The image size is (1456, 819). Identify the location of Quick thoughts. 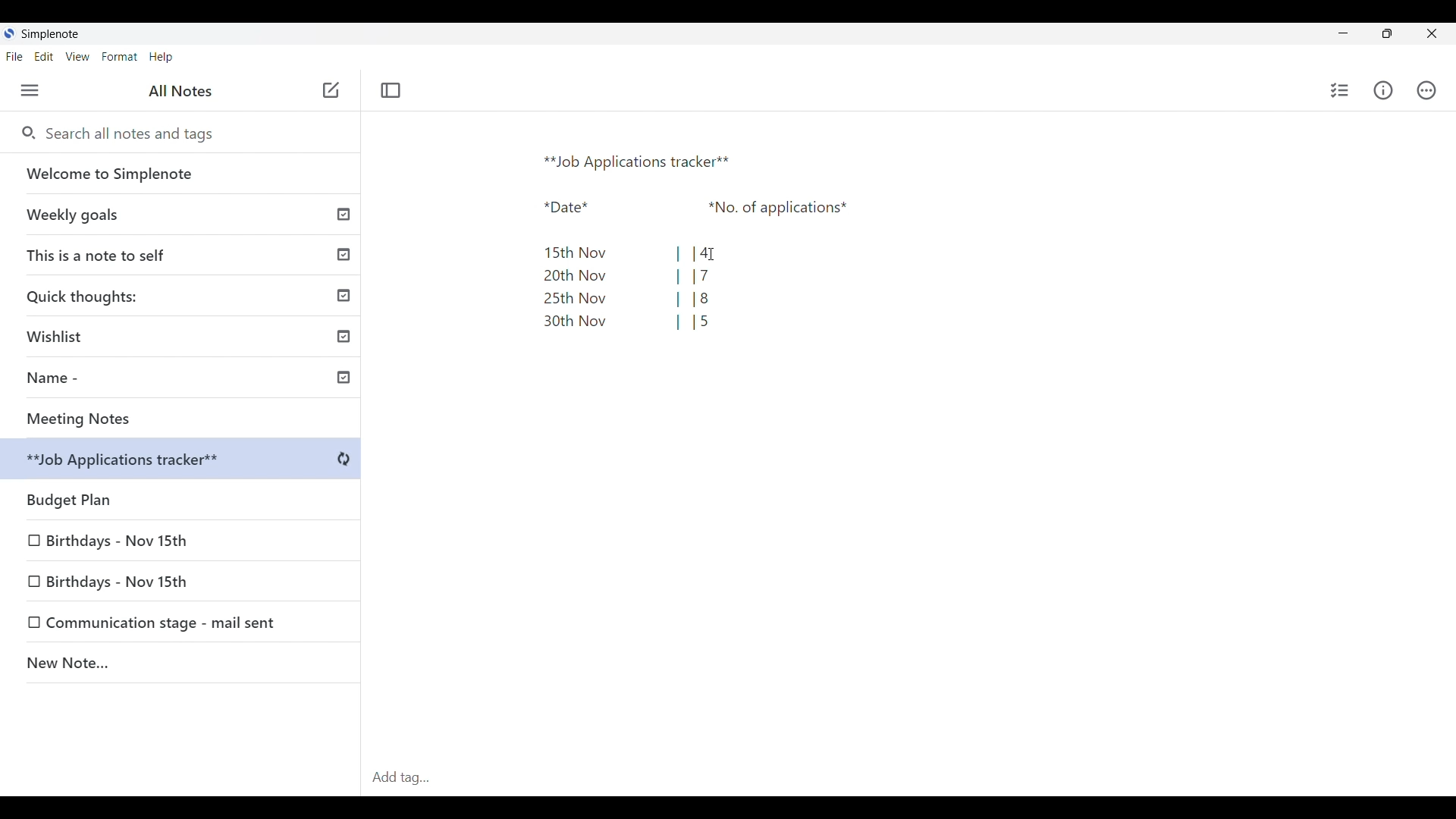
(183, 295).